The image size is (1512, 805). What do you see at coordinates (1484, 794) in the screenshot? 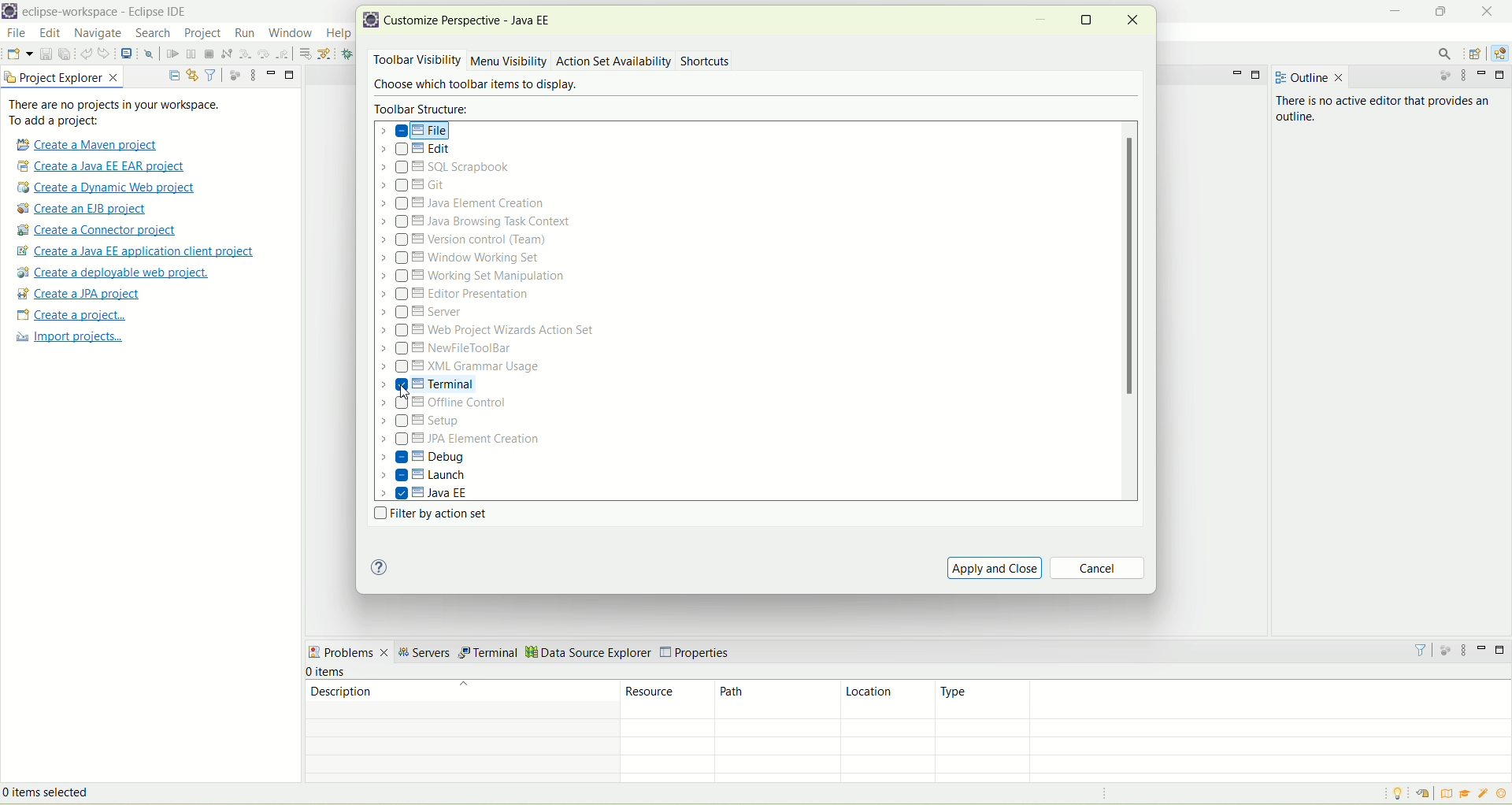
I see `samples` at bounding box center [1484, 794].